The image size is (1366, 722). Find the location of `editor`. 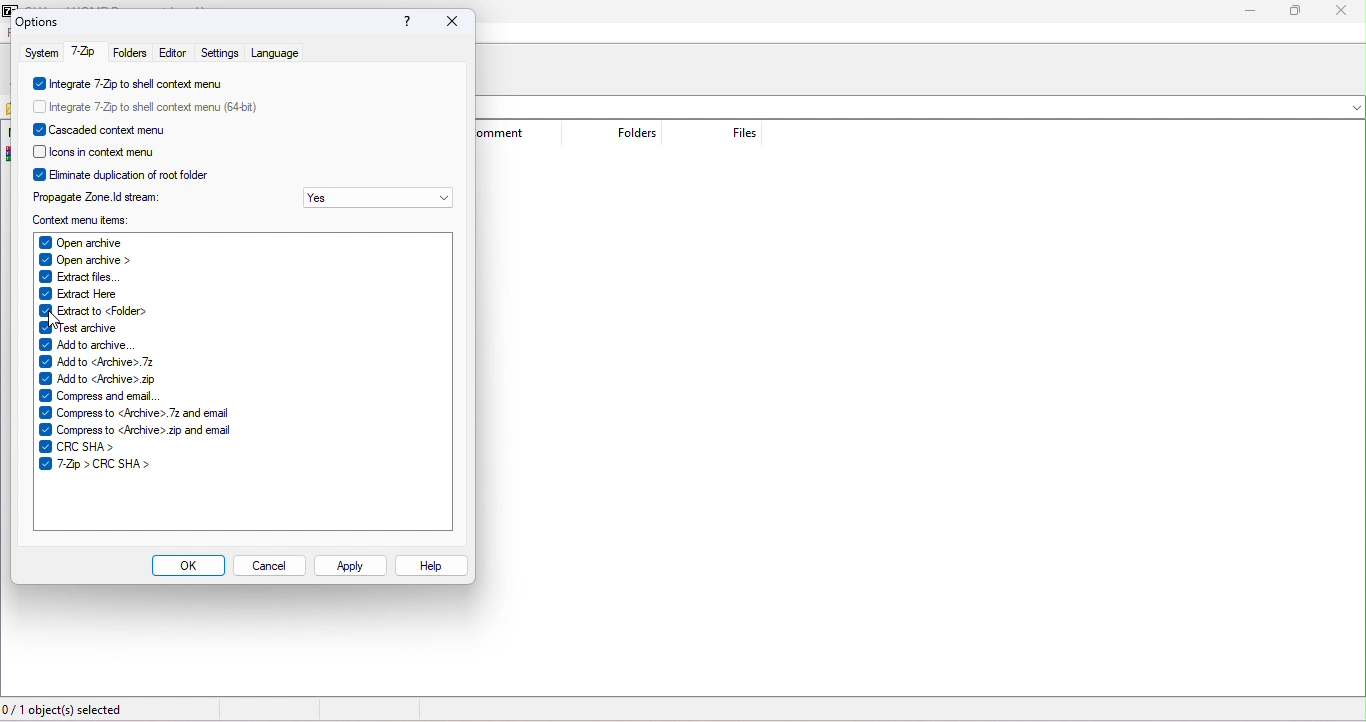

editor is located at coordinates (174, 53).